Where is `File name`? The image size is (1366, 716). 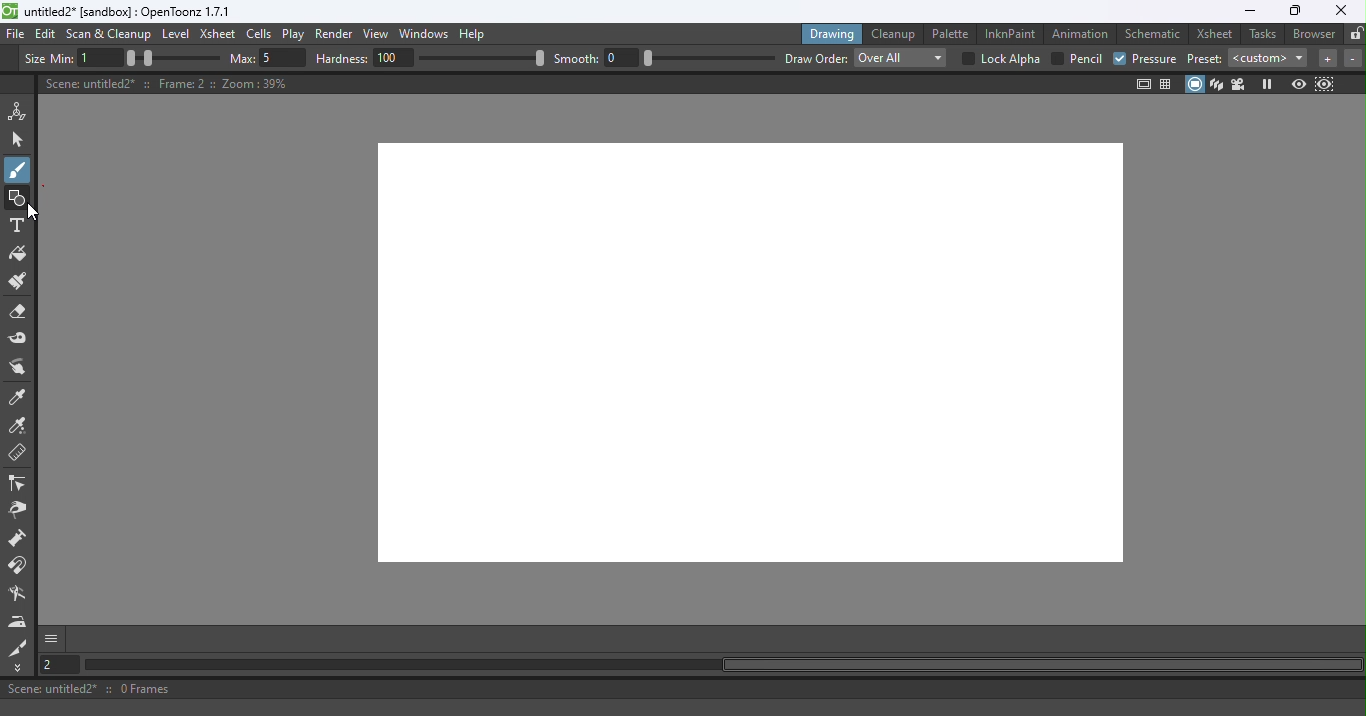
File name is located at coordinates (129, 12).